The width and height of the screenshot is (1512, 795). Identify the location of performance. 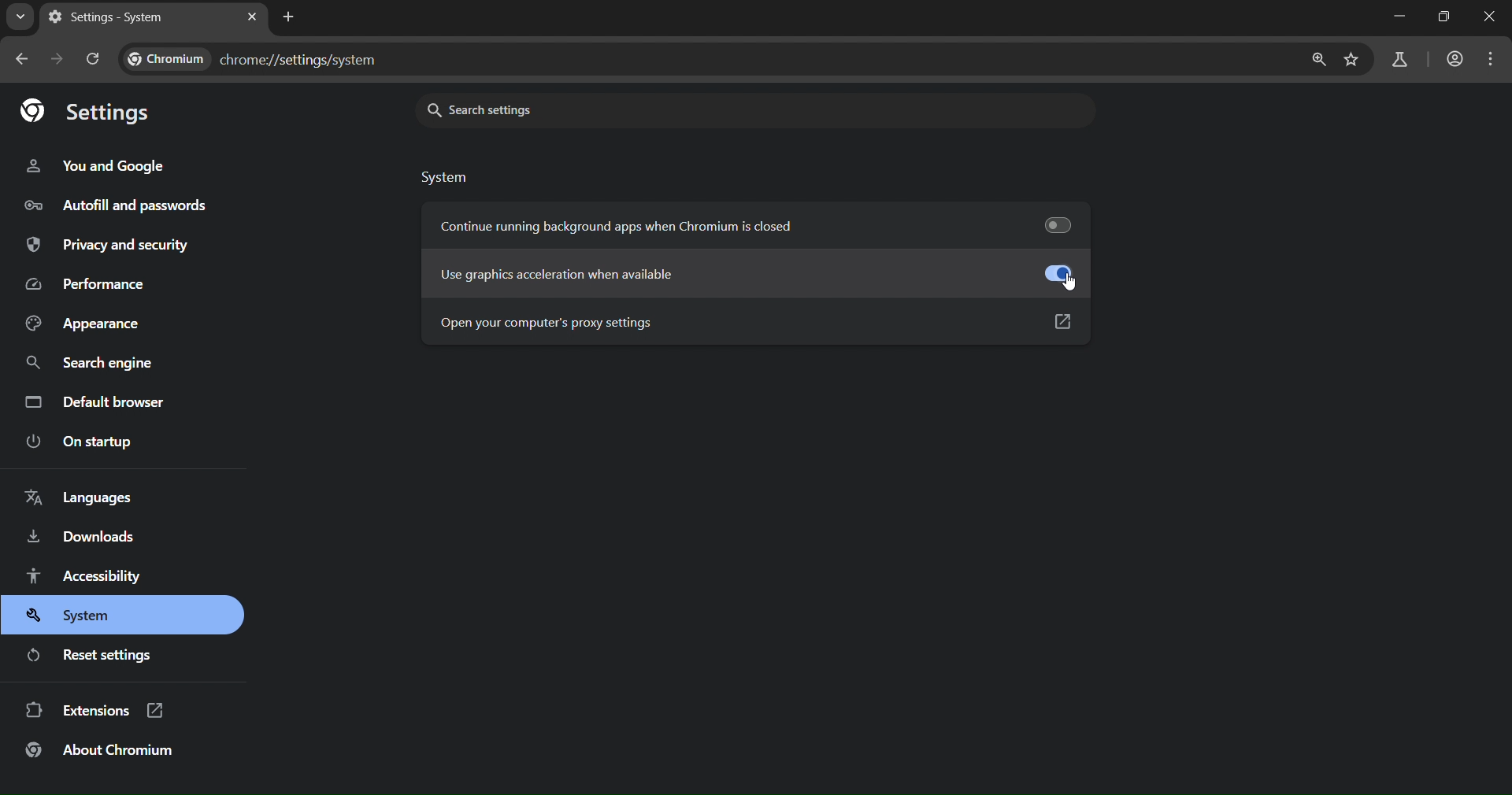
(87, 284).